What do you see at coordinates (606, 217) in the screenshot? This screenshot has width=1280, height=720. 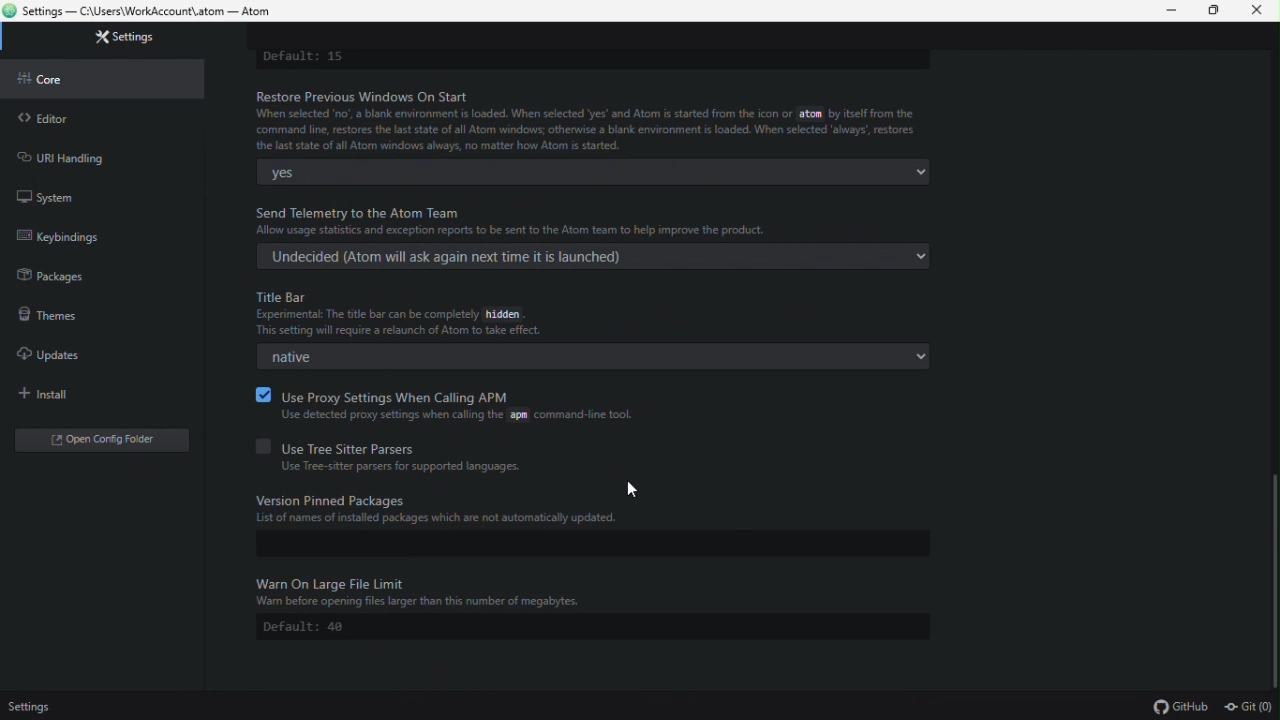 I see `Send Telemetry to the Atom Team` at bounding box center [606, 217].